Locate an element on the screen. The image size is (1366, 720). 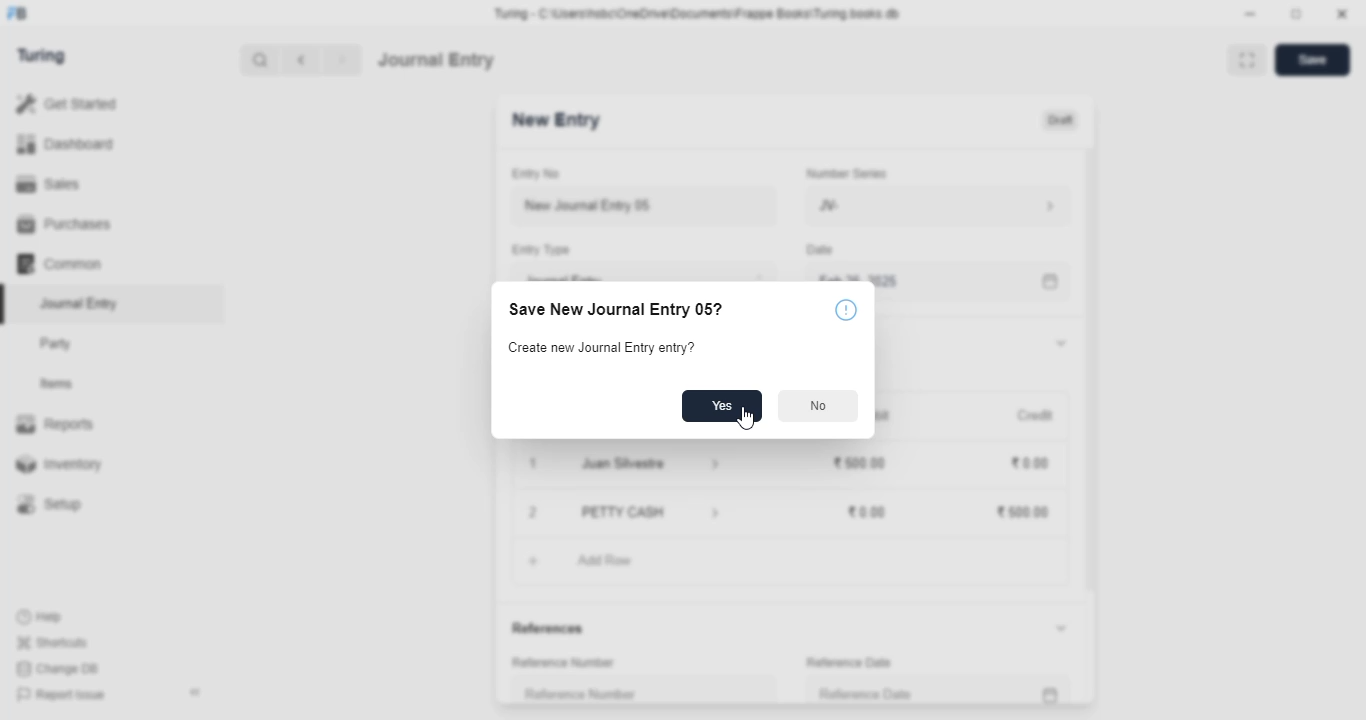
number series is located at coordinates (846, 173).